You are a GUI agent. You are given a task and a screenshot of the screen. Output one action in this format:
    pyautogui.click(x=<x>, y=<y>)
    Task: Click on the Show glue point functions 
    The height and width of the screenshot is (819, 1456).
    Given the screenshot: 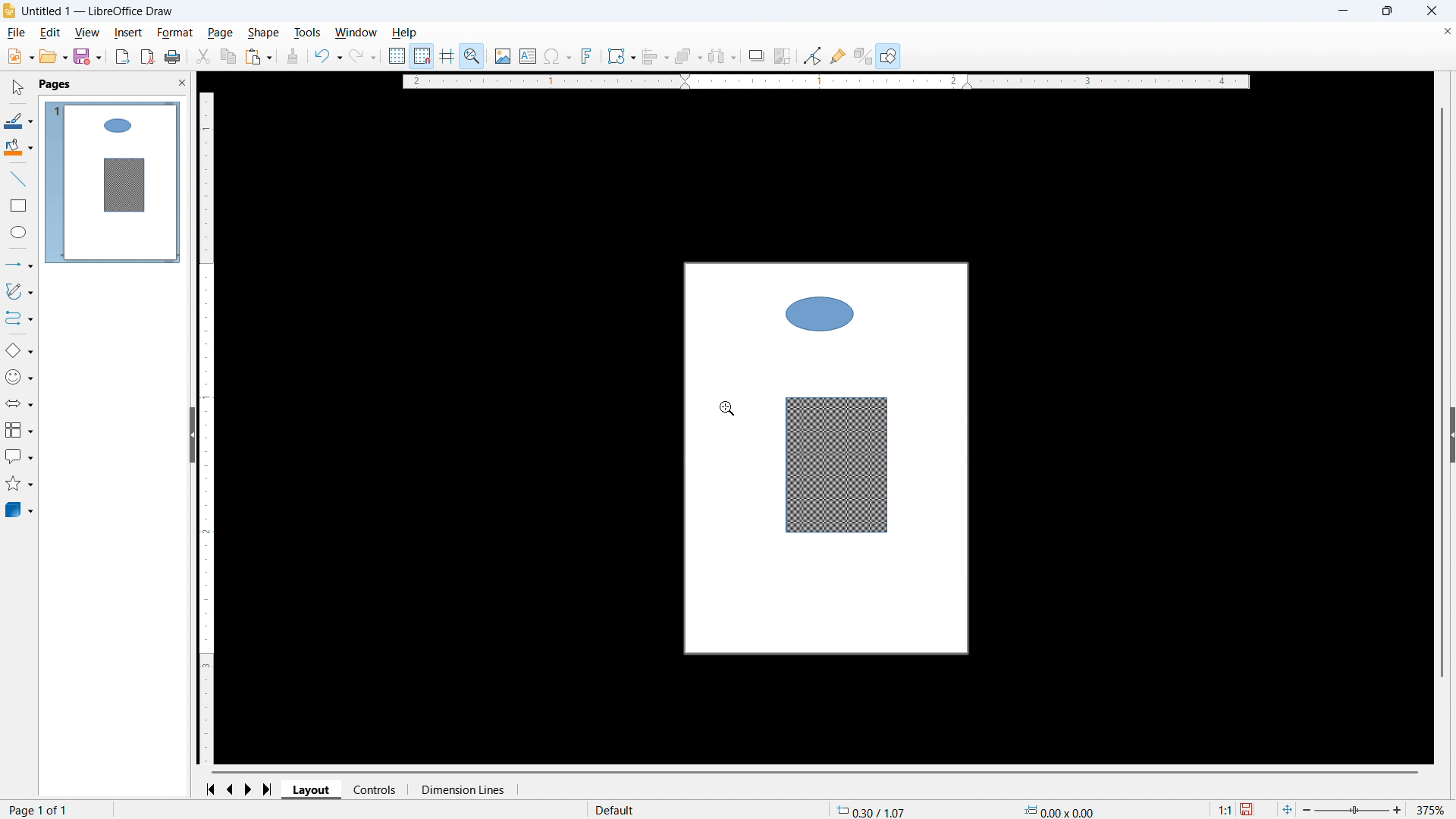 What is the action you would take?
    pyautogui.click(x=838, y=56)
    